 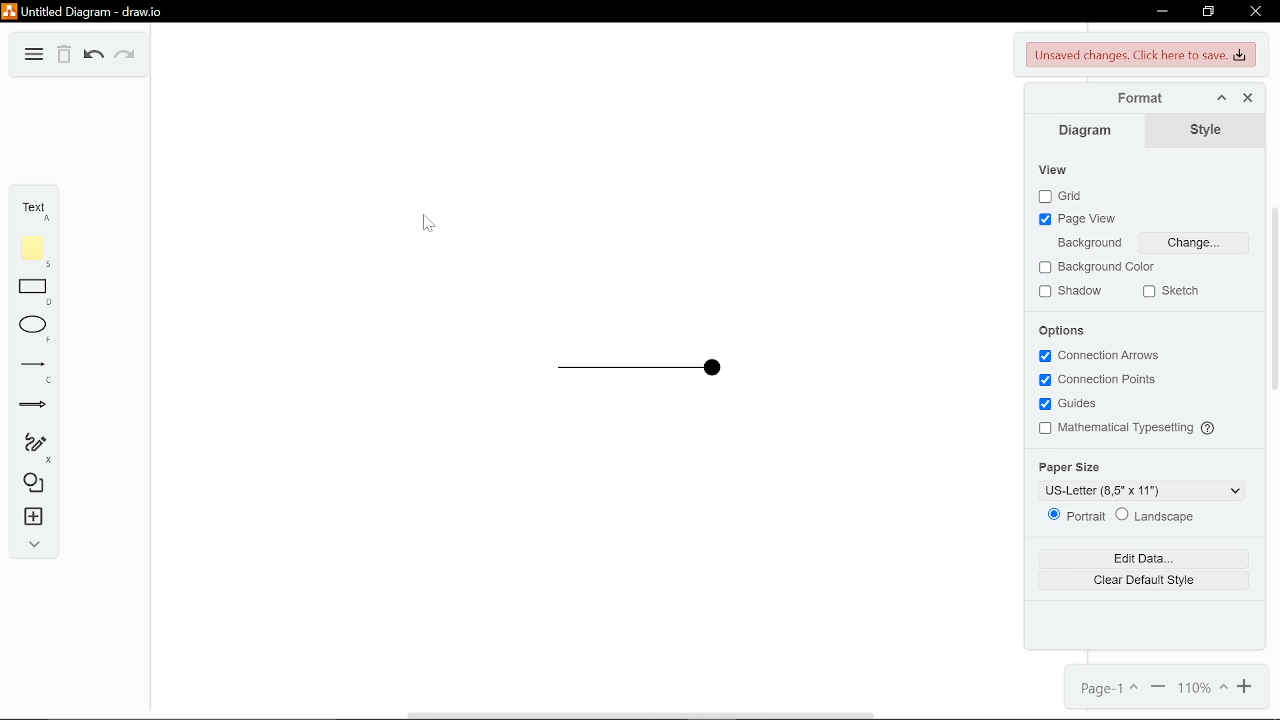 What do you see at coordinates (1139, 56) in the screenshot?
I see `Unsaved changes. click here to save` at bounding box center [1139, 56].